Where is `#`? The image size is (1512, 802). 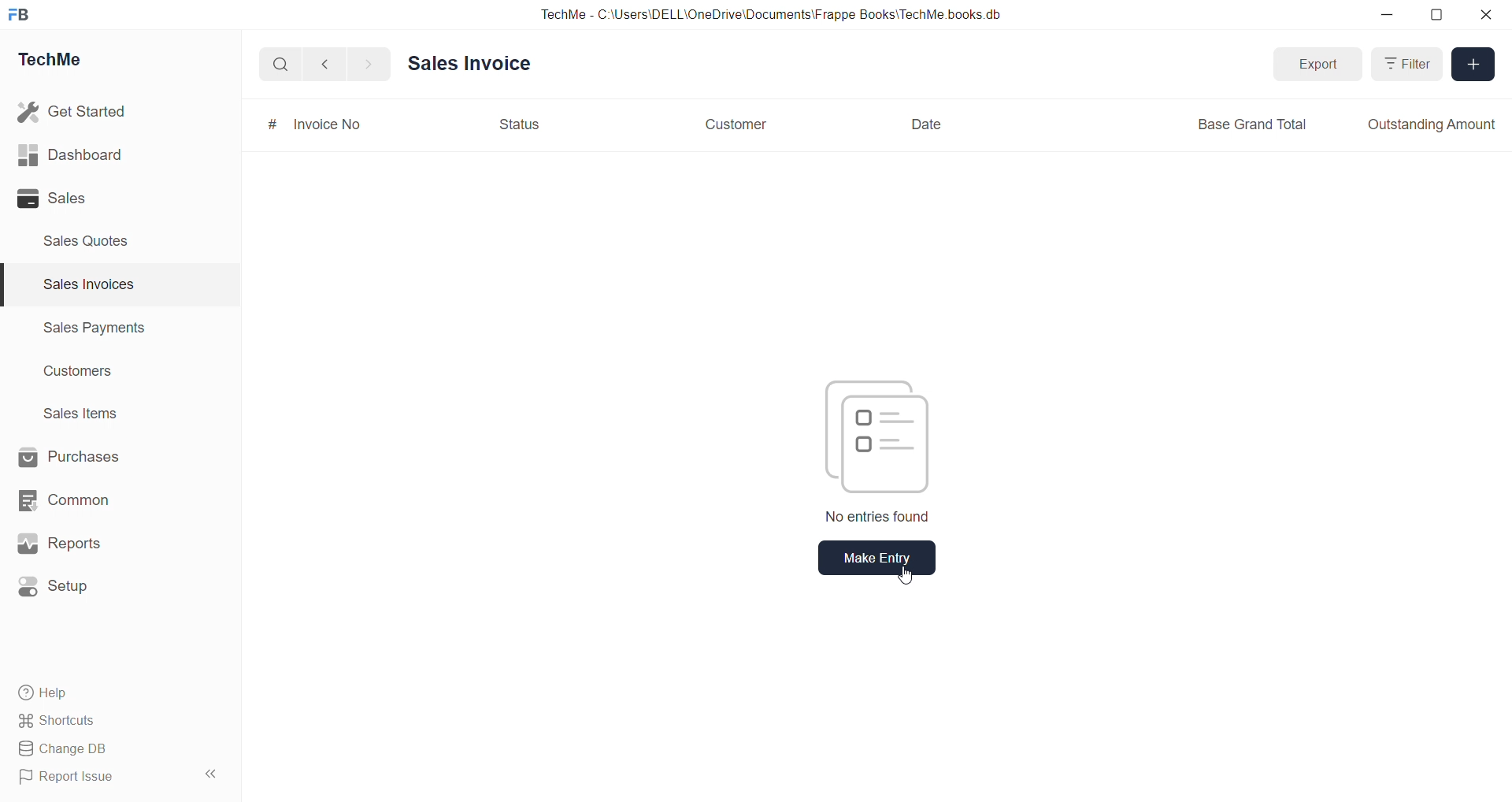 # is located at coordinates (272, 125).